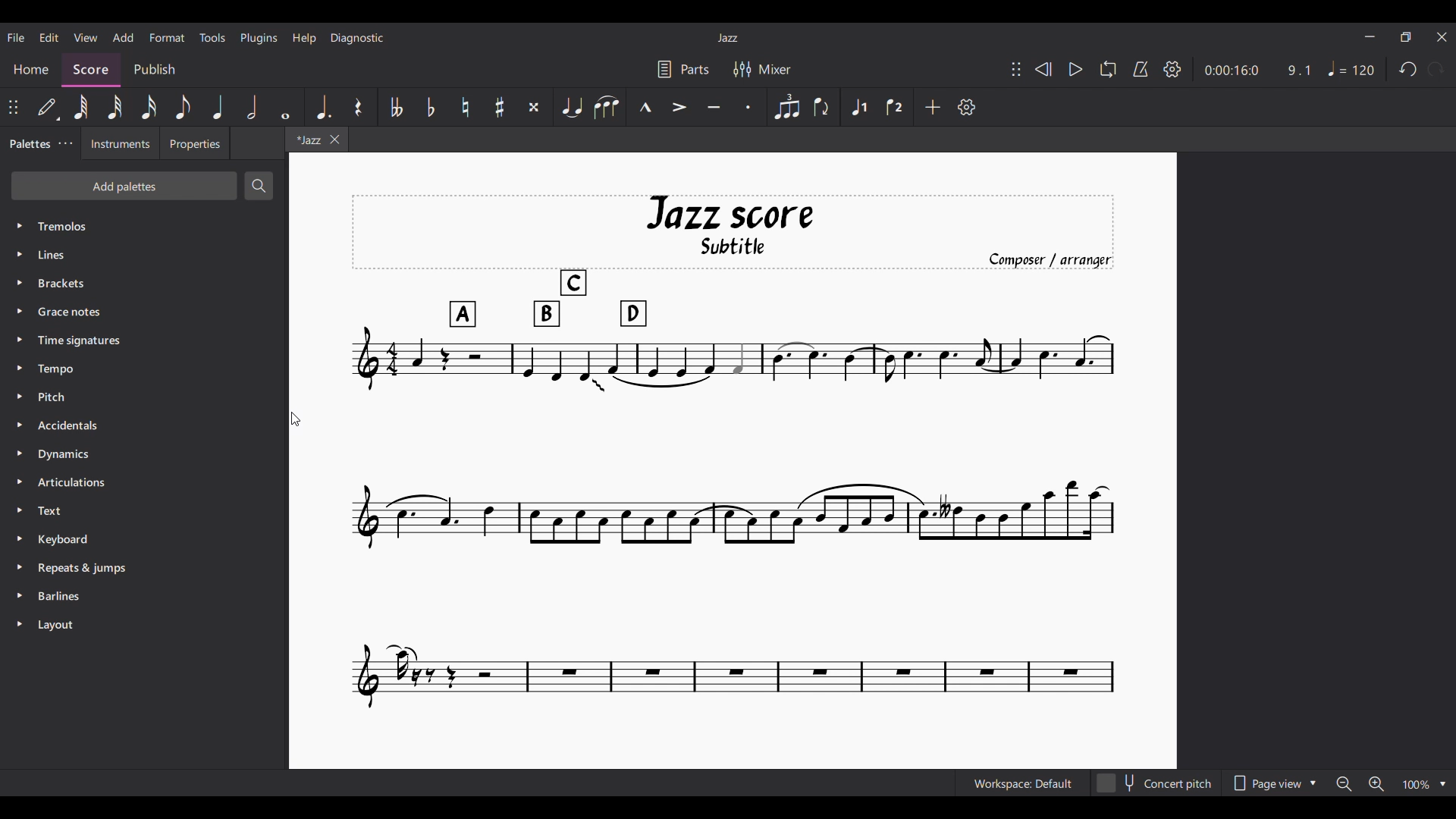  I want to click on Diagnostic menu, so click(357, 38).